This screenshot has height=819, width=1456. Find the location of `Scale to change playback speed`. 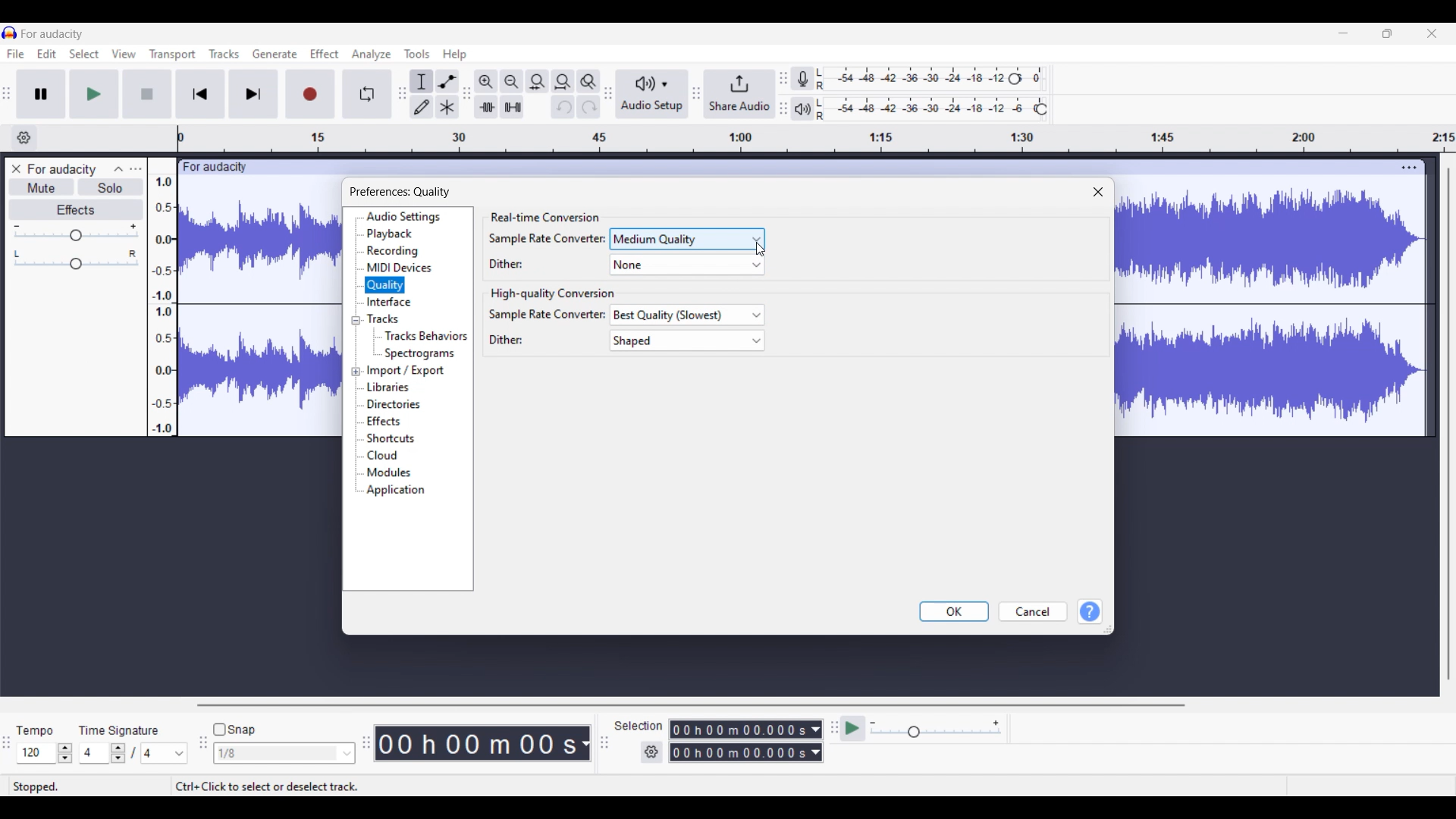

Scale to change playback speed is located at coordinates (936, 729).